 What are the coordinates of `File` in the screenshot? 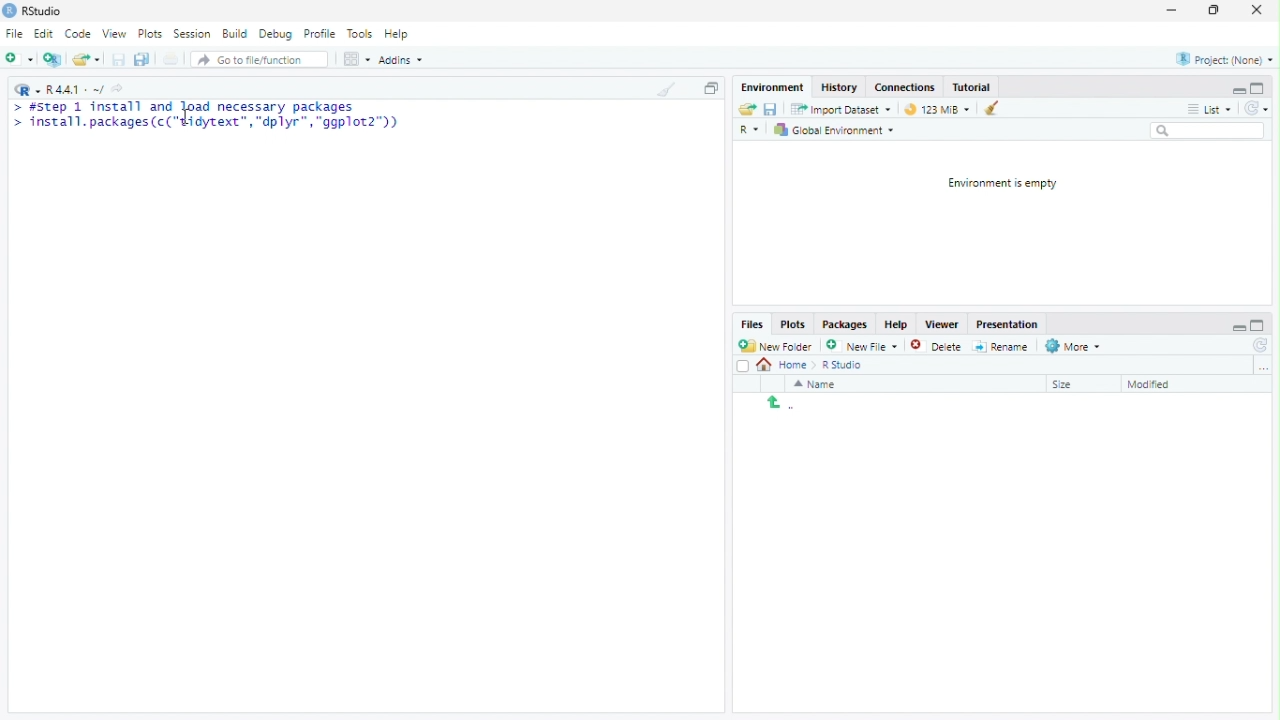 It's located at (14, 33).